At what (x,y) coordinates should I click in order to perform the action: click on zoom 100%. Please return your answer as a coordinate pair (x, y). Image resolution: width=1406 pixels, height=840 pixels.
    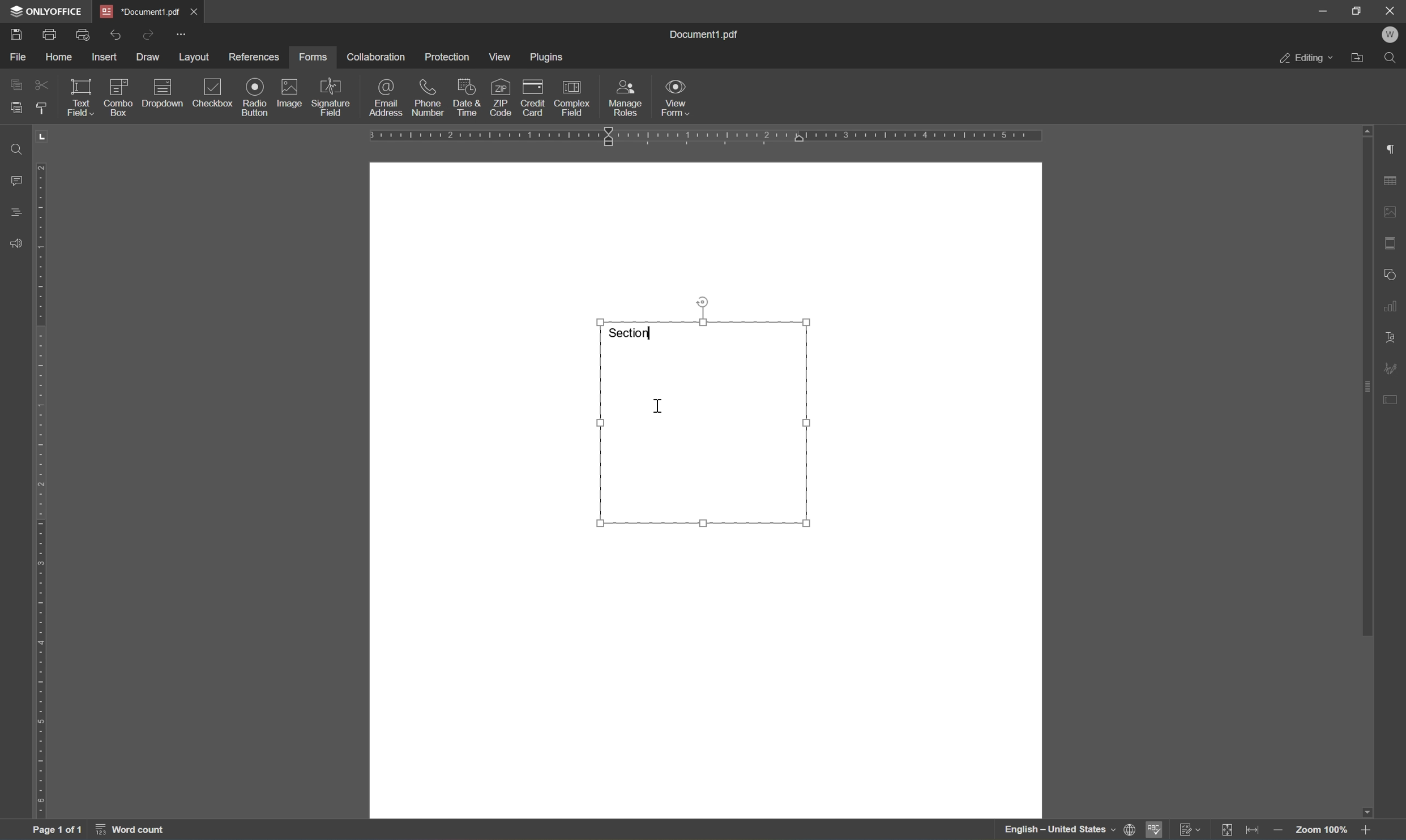
    Looking at the image, I should click on (1322, 832).